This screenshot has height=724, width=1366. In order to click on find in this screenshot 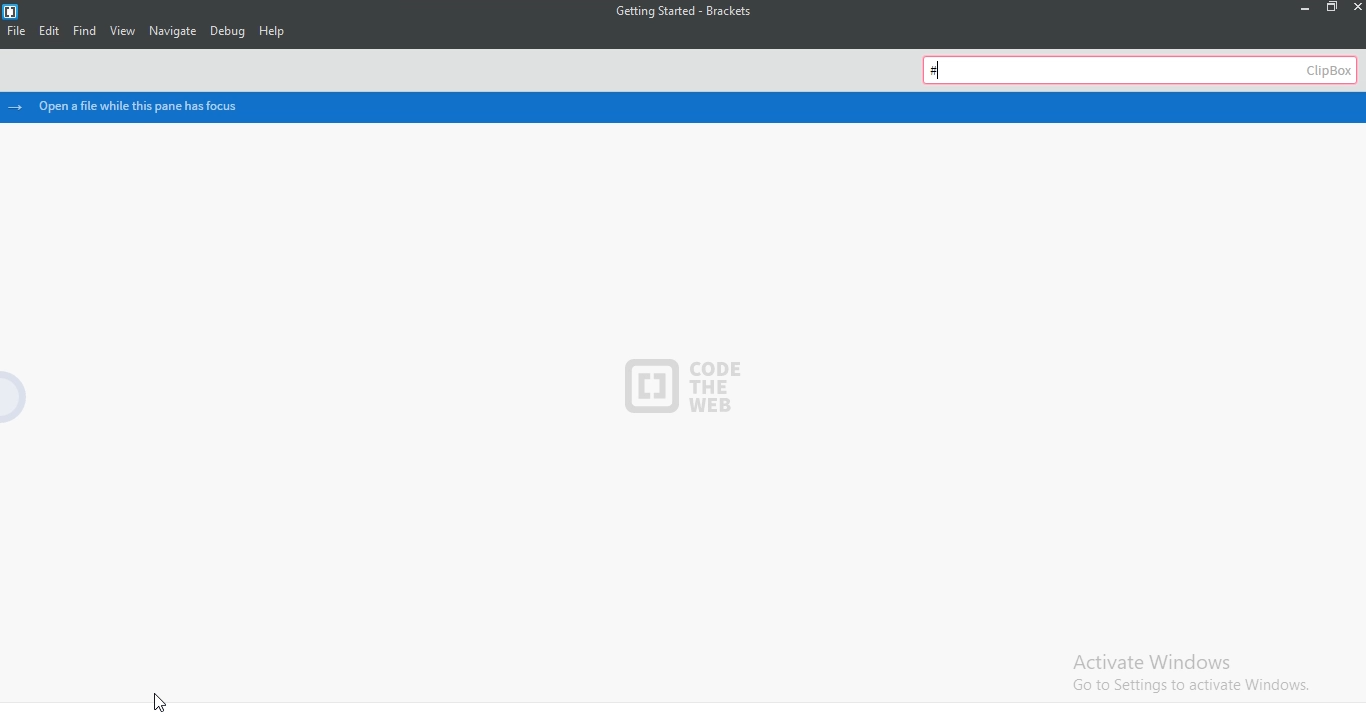, I will do `click(84, 30)`.